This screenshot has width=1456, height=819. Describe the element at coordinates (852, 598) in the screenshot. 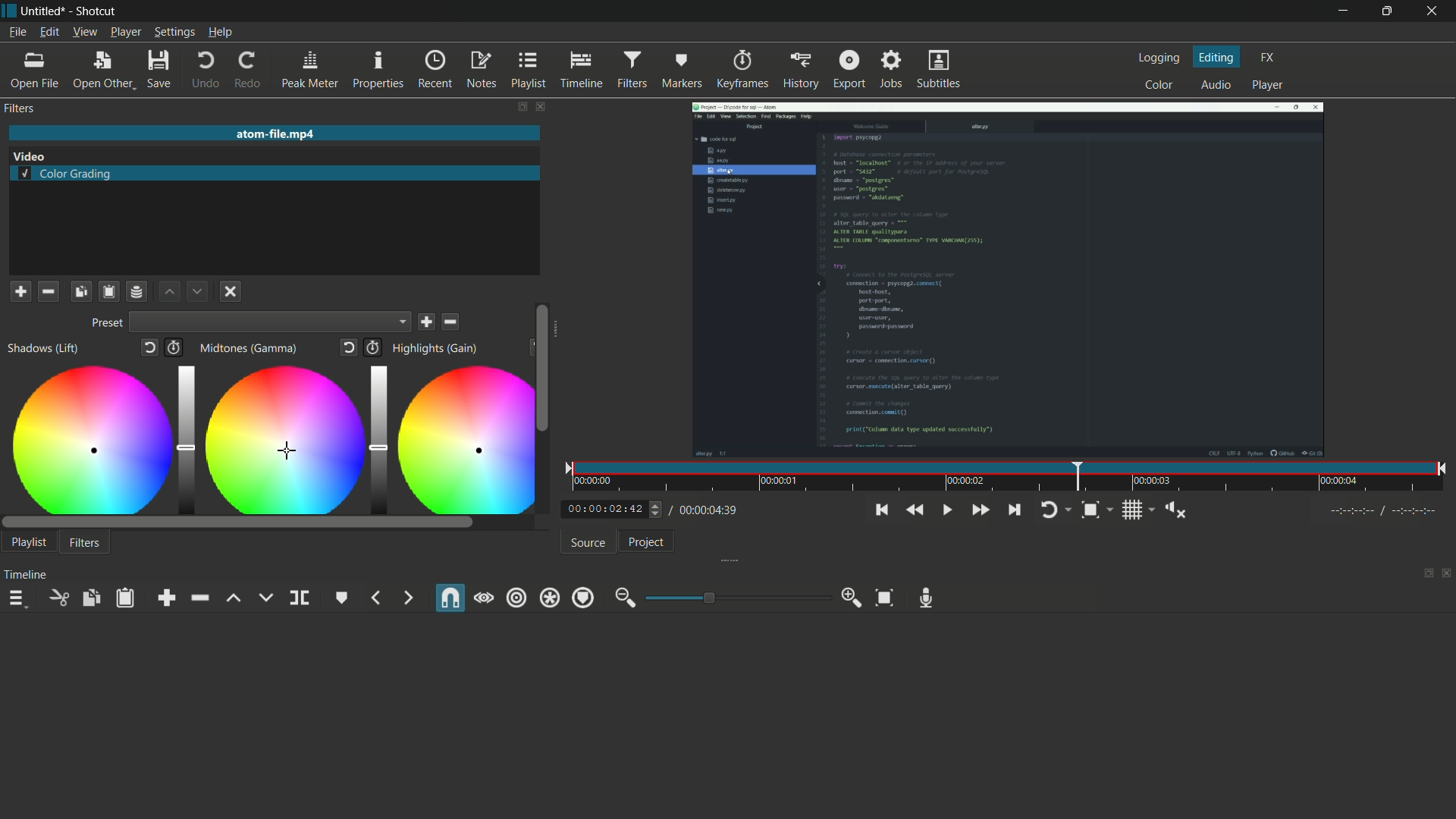

I see `zoom in` at that location.